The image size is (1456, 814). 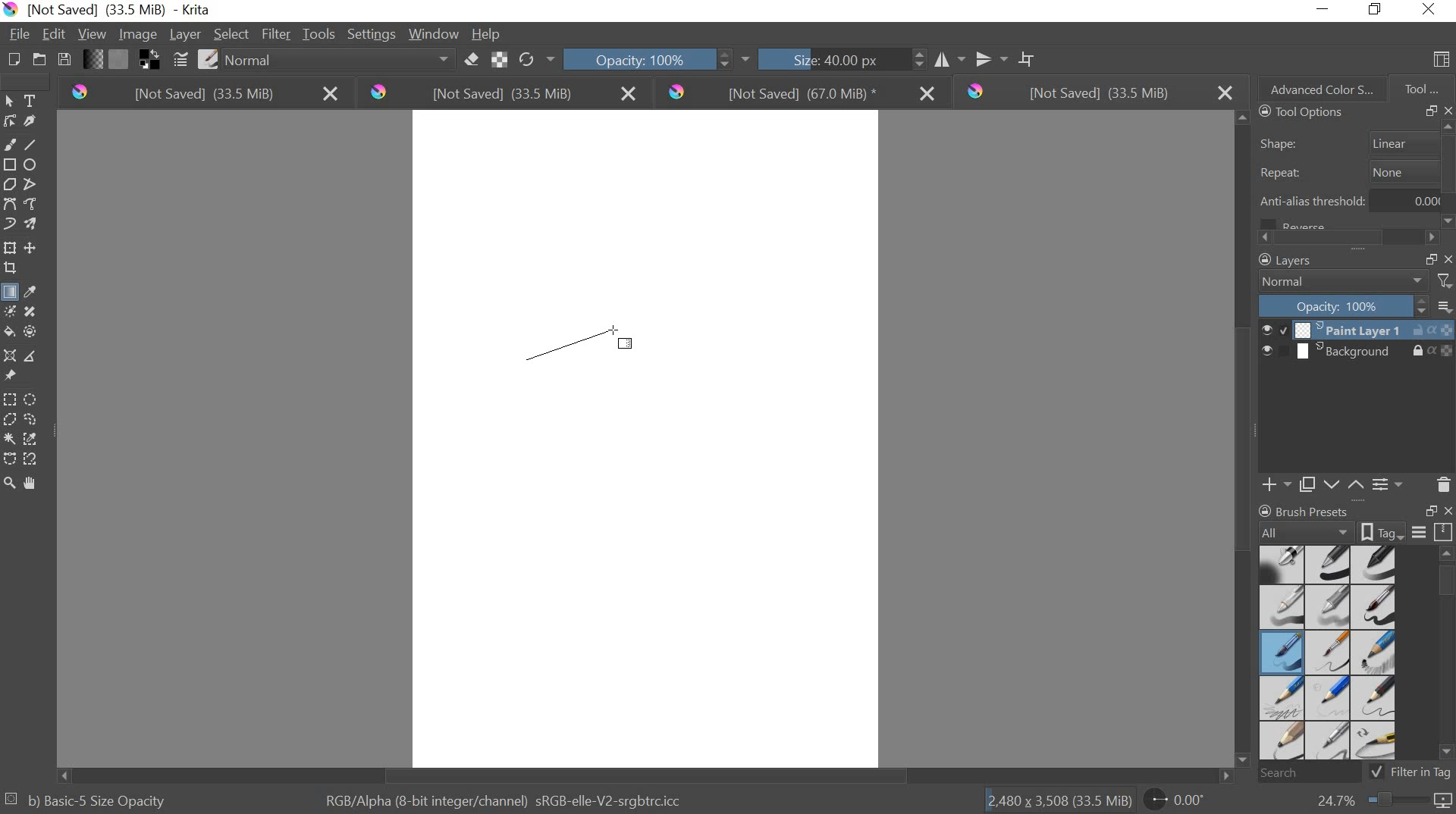 What do you see at coordinates (122, 58) in the screenshot?
I see `FILL PATTERNS` at bounding box center [122, 58].